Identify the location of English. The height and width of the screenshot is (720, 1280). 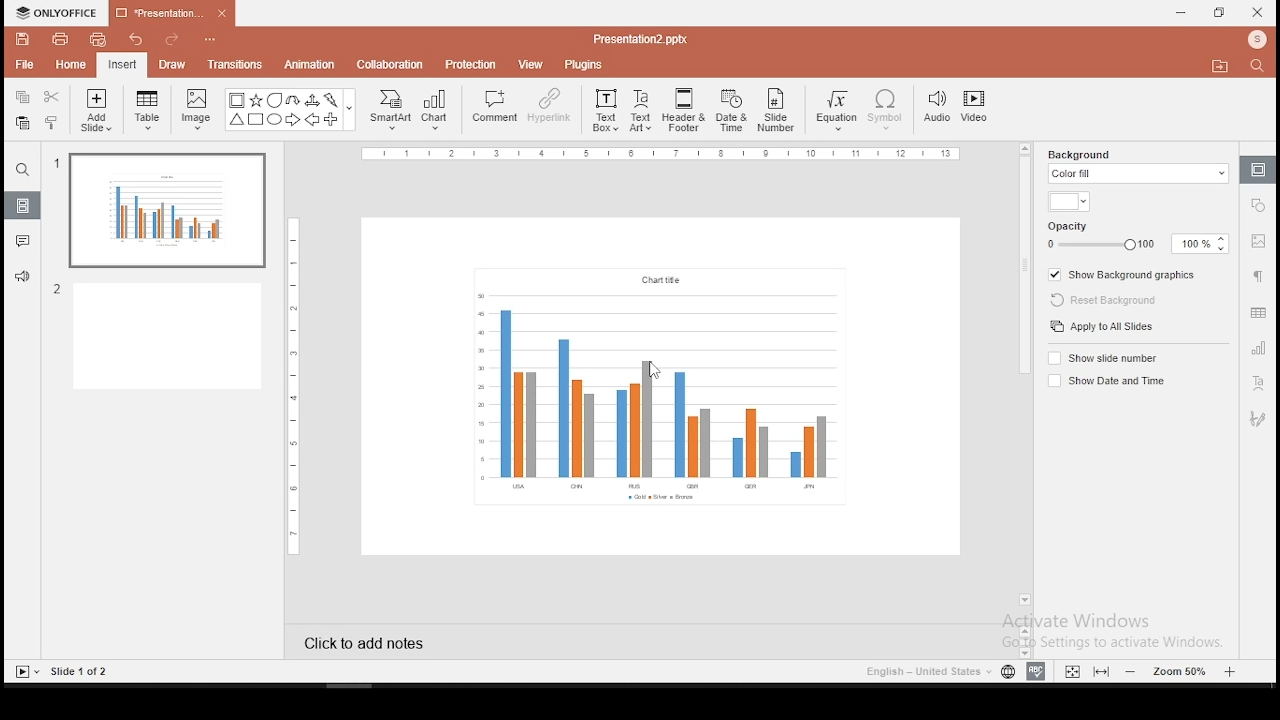
(923, 670).